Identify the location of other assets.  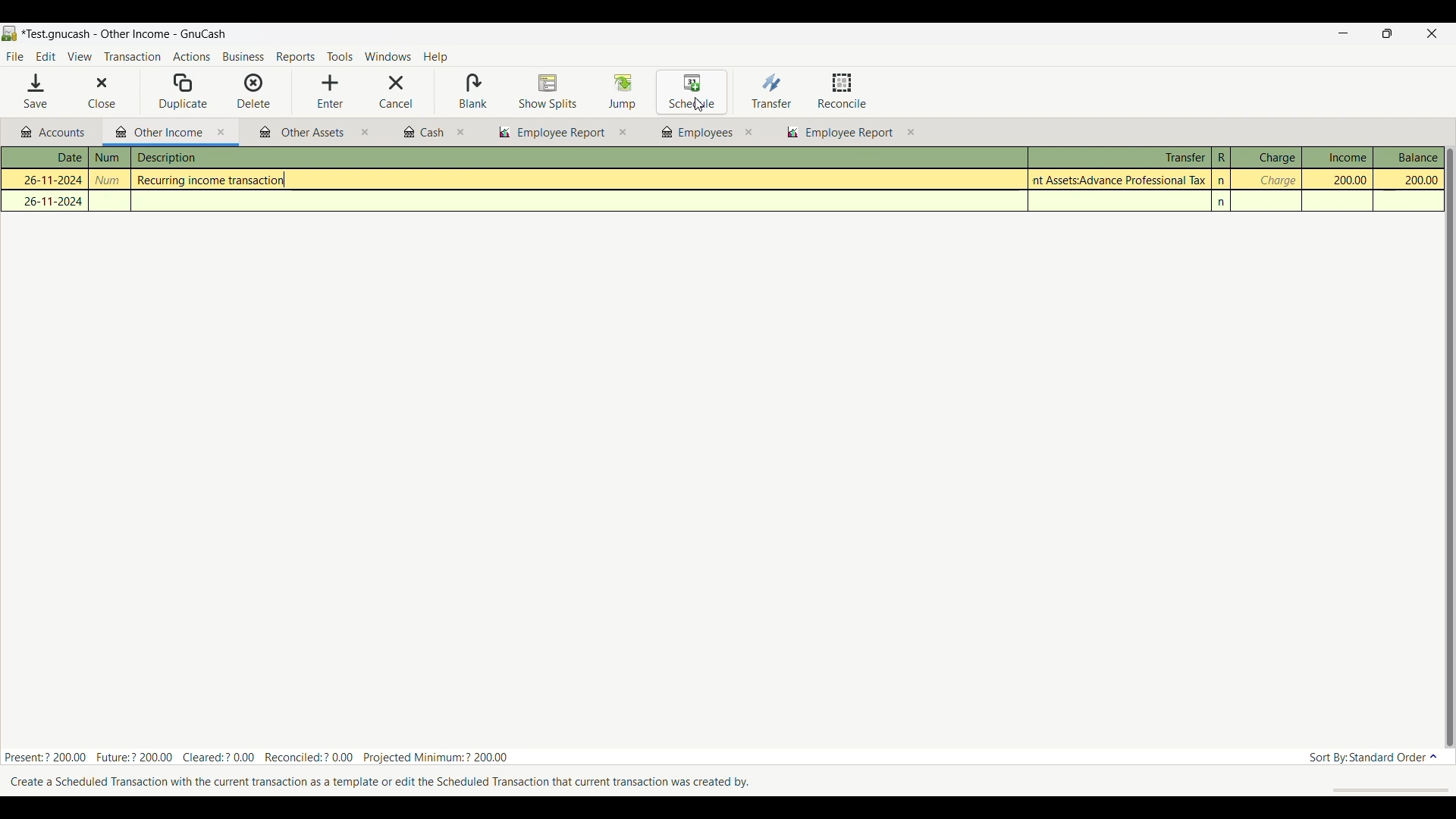
(303, 133).